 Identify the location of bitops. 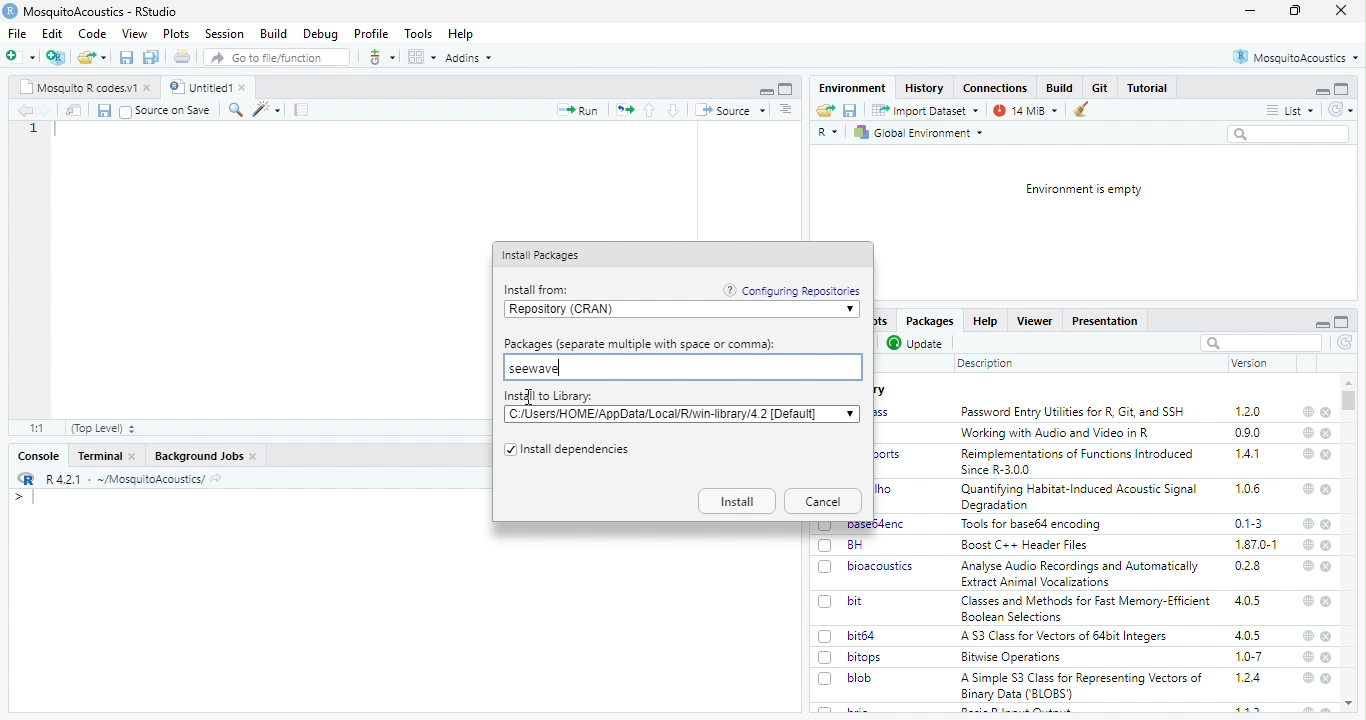
(866, 657).